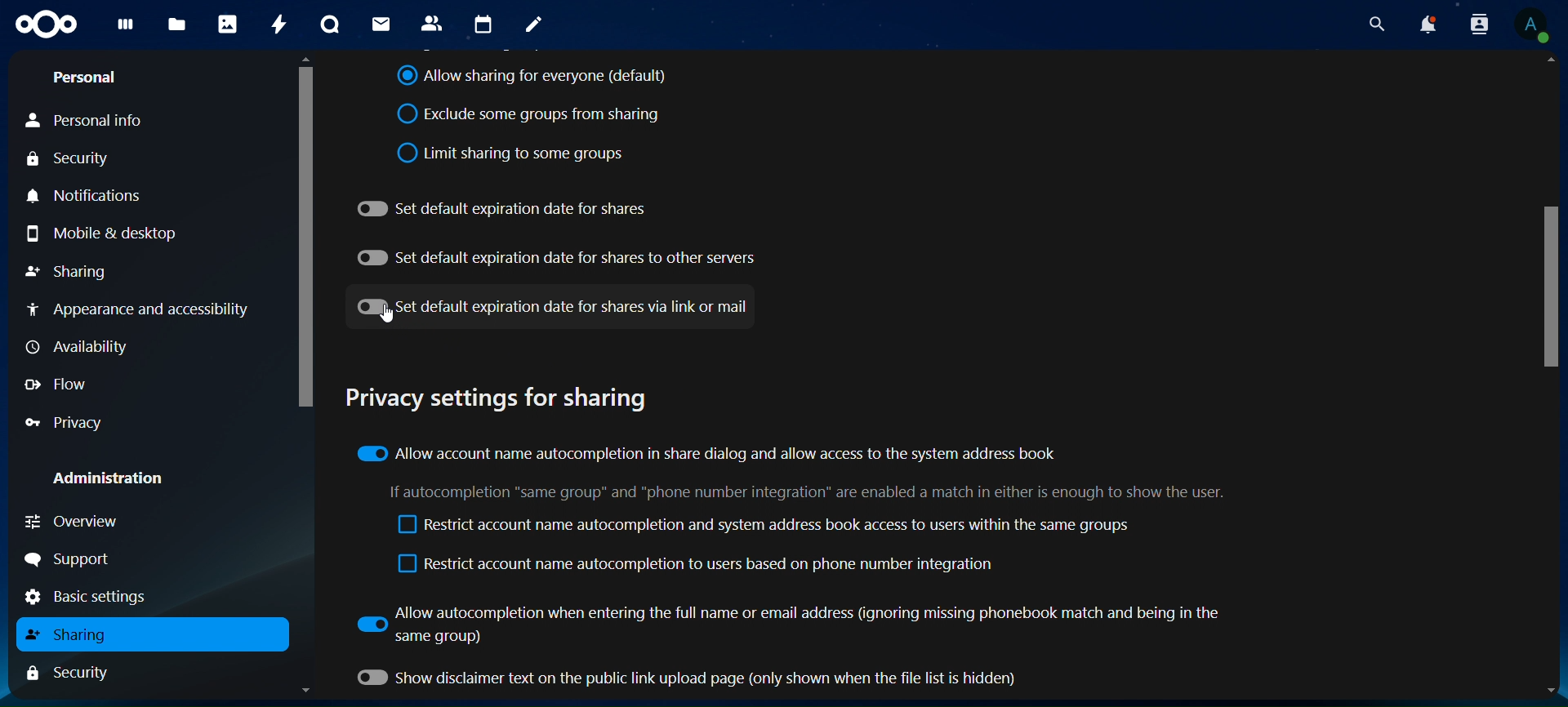 The width and height of the screenshot is (1568, 707). I want to click on search, so click(1374, 24).